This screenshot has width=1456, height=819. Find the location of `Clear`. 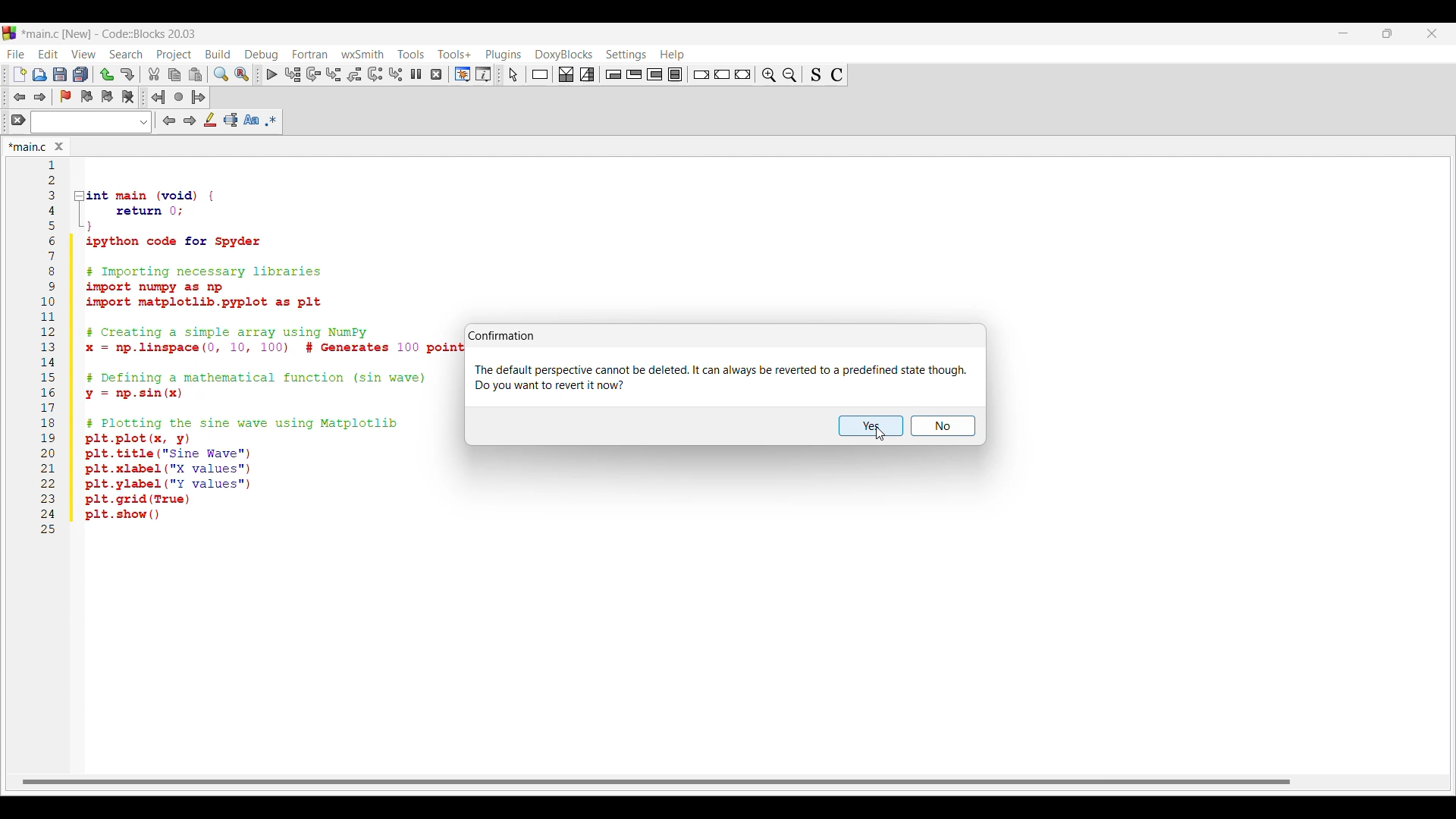

Clear is located at coordinates (18, 120).